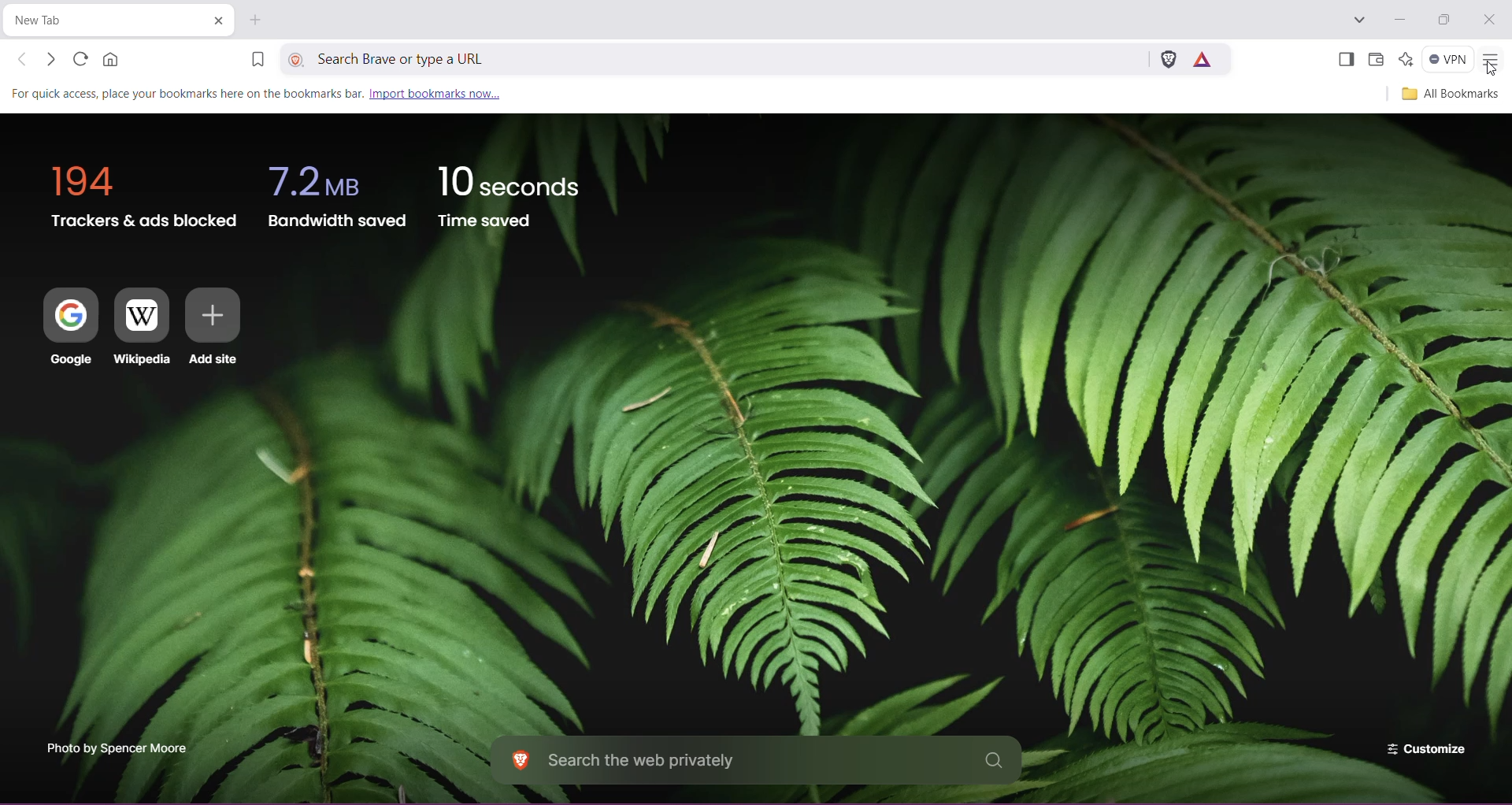  Describe the element at coordinates (1447, 94) in the screenshot. I see `All bookmarks` at that location.